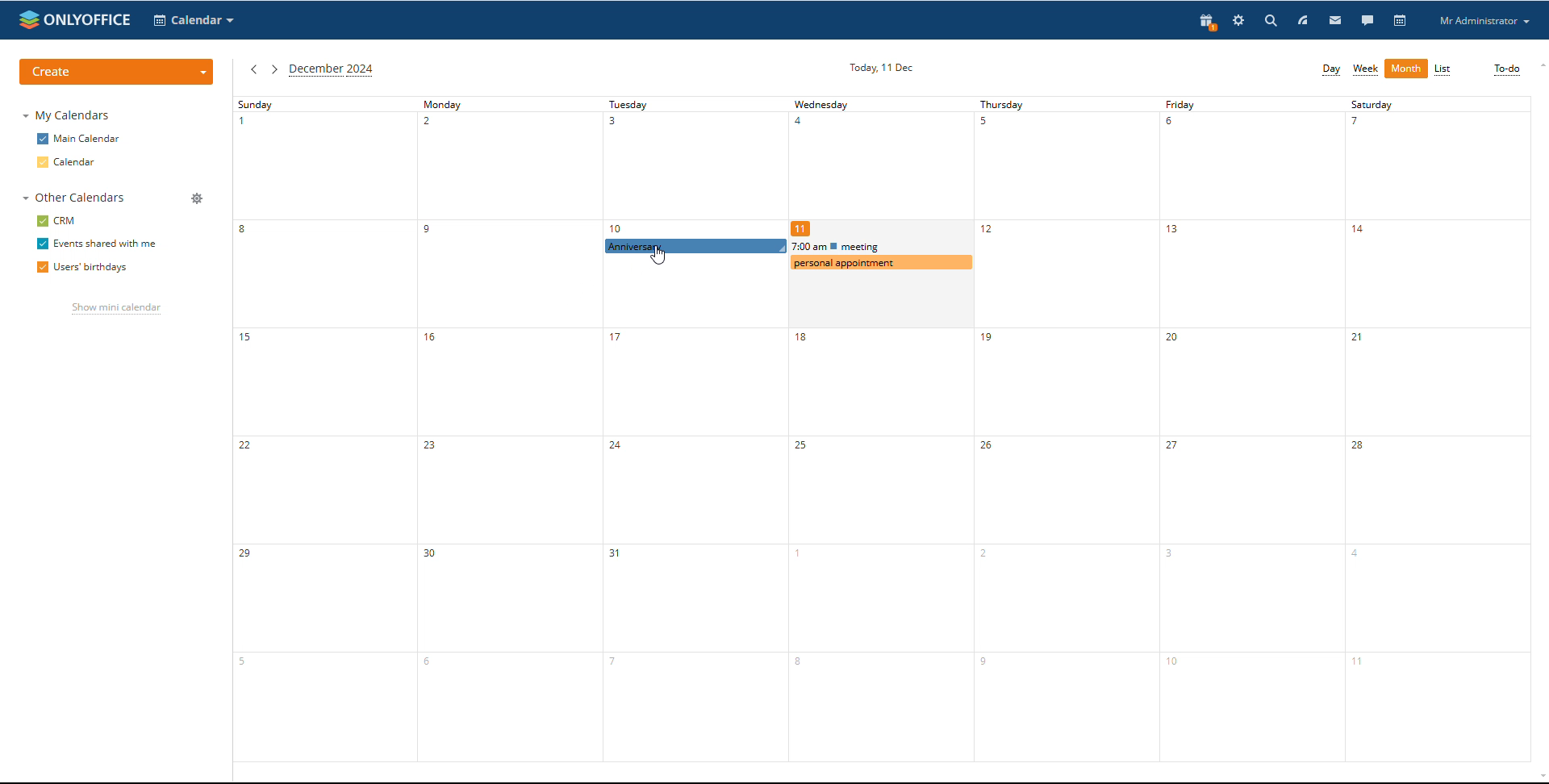 This screenshot has width=1549, height=784. What do you see at coordinates (325, 429) in the screenshot?
I see `sunday` at bounding box center [325, 429].